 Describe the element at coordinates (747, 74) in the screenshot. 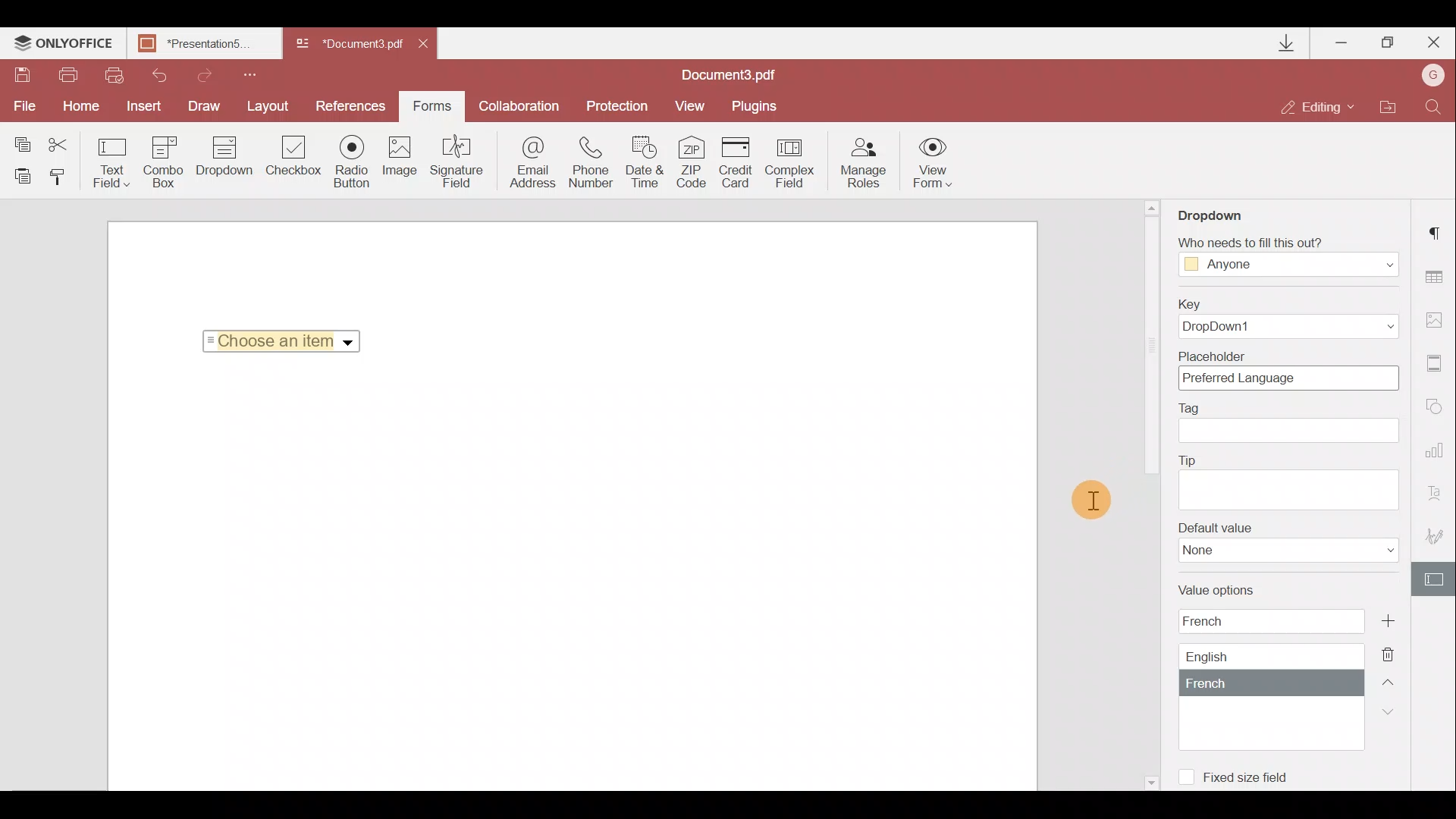

I see `Document3.pdf` at that location.